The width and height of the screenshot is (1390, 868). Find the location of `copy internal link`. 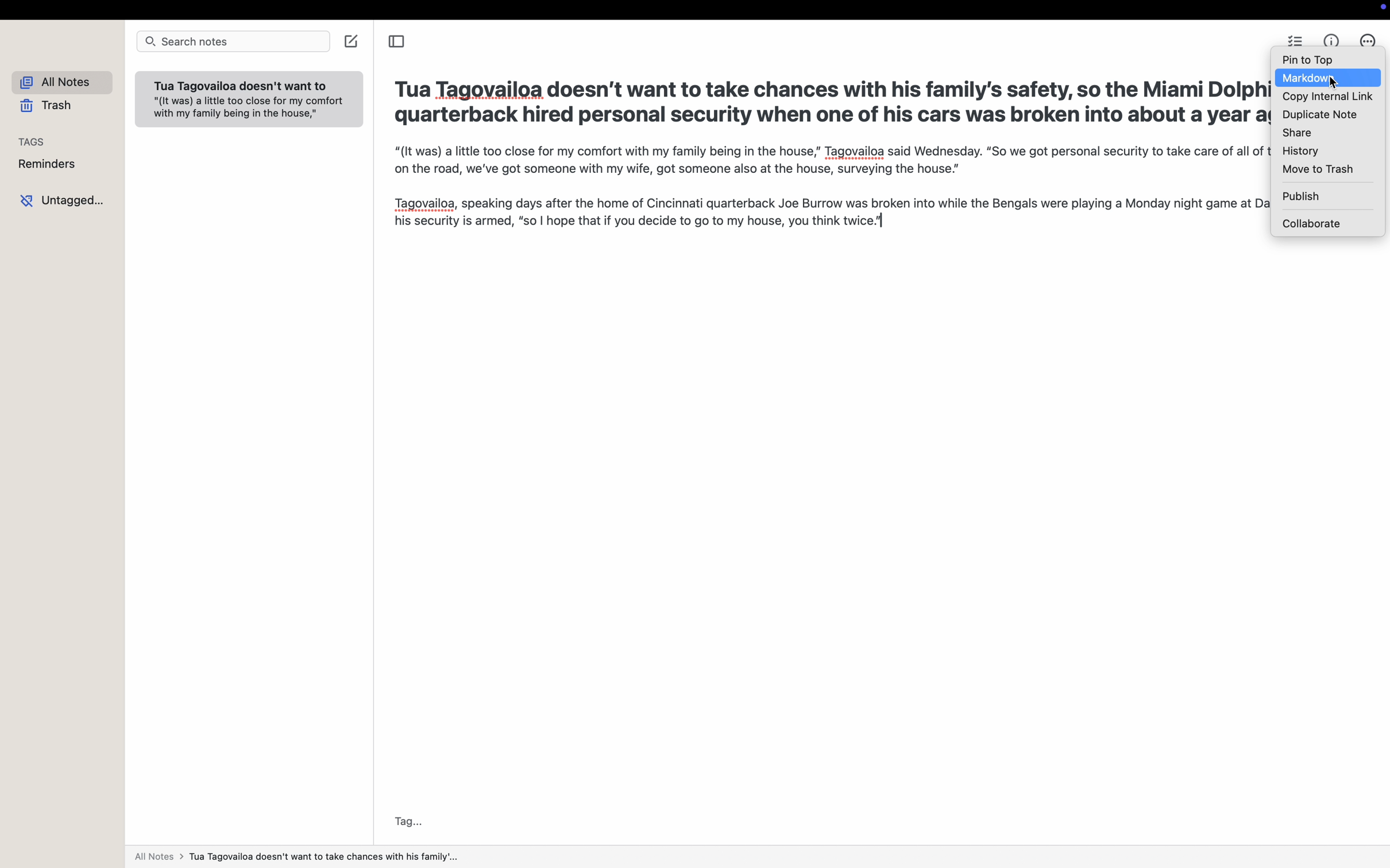

copy internal link is located at coordinates (1326, 97).